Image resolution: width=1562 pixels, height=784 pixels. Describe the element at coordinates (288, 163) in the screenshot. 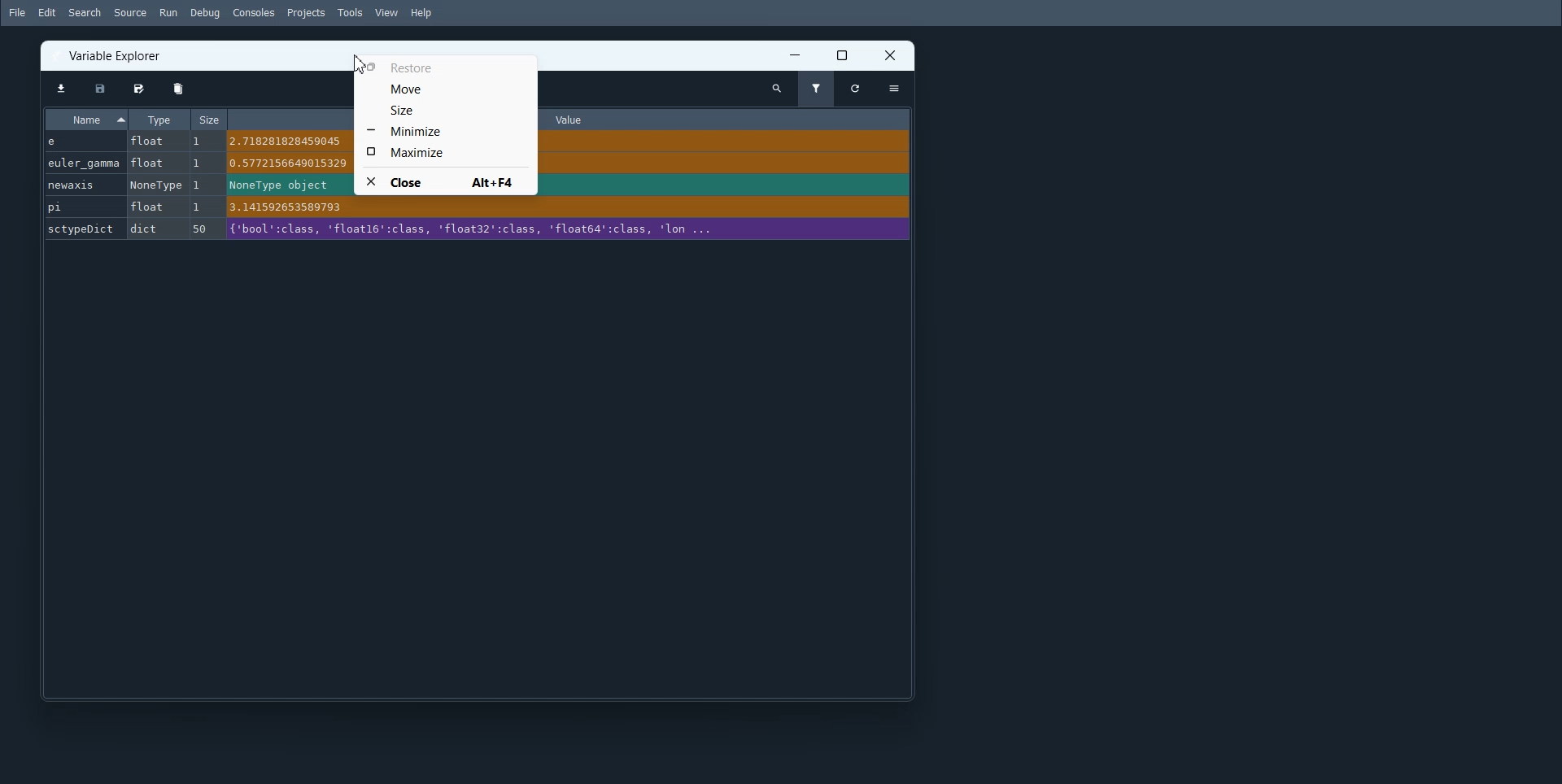

I see `0.5772156649015329` at that location.